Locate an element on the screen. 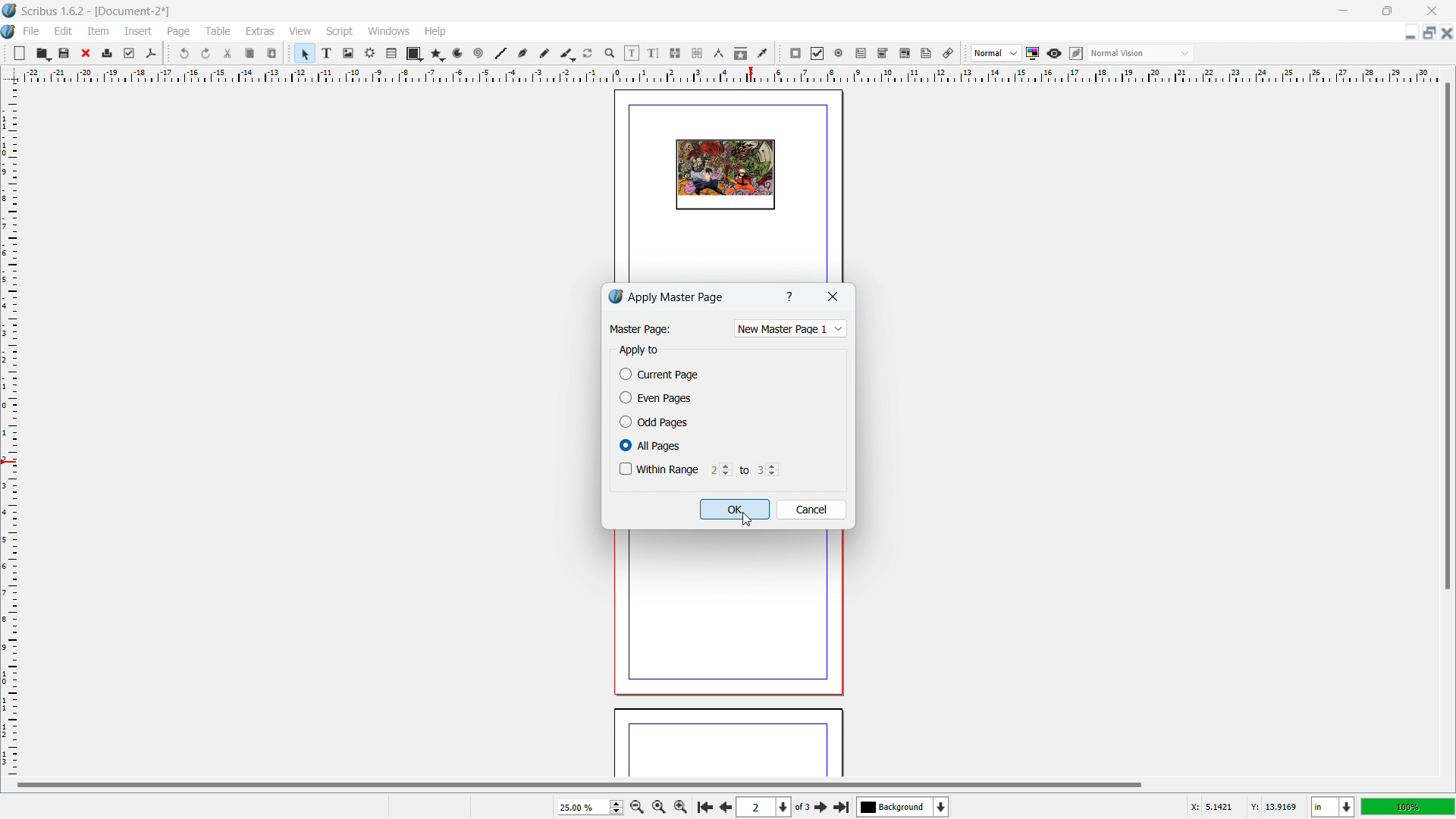 This screenshot has width=1456, height=819. polygon is located at coordinates (438, 54).